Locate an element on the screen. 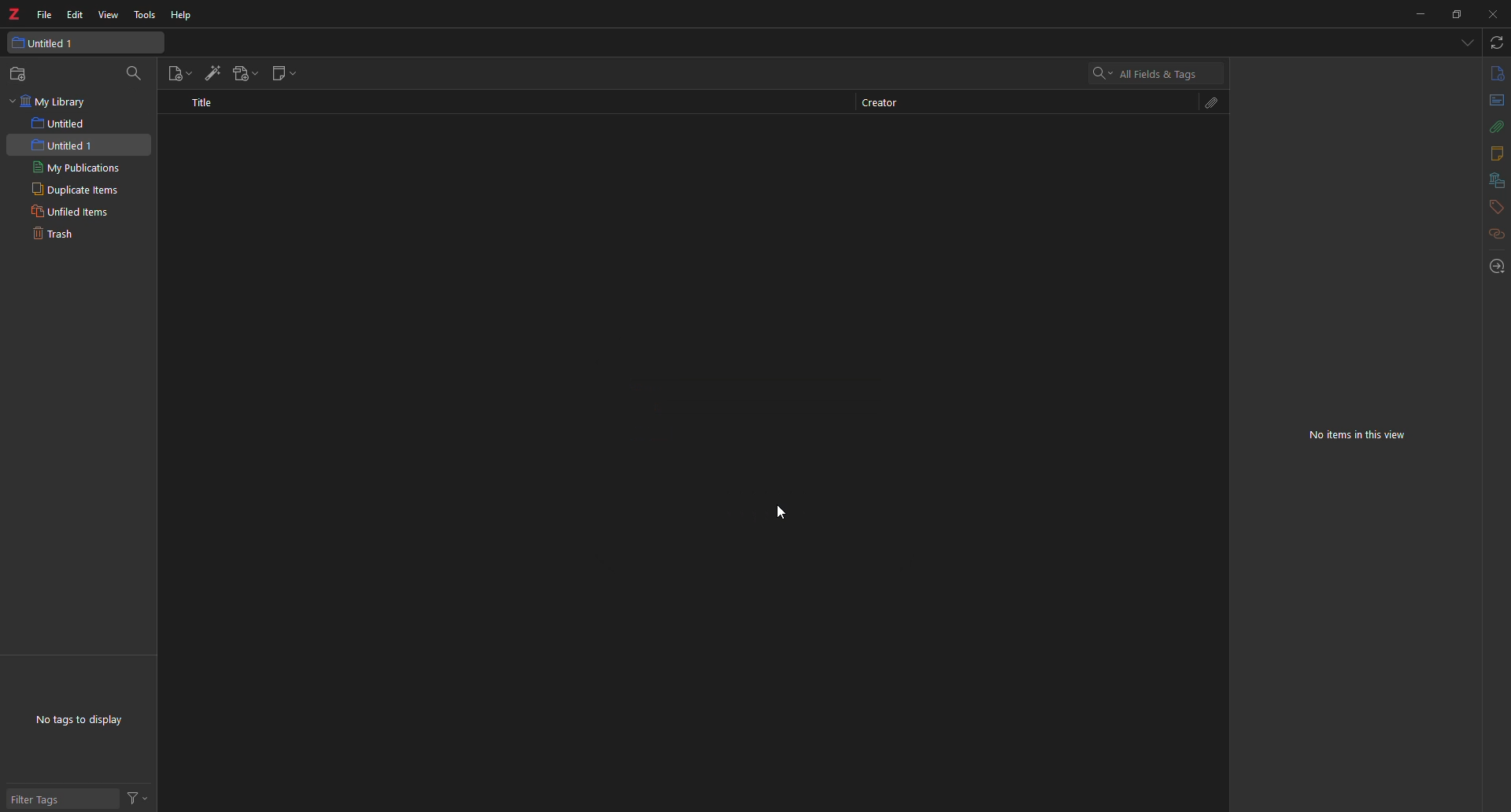 This screenshot has height=812, width=1511. tabs is located at coordinates (1466, 43).